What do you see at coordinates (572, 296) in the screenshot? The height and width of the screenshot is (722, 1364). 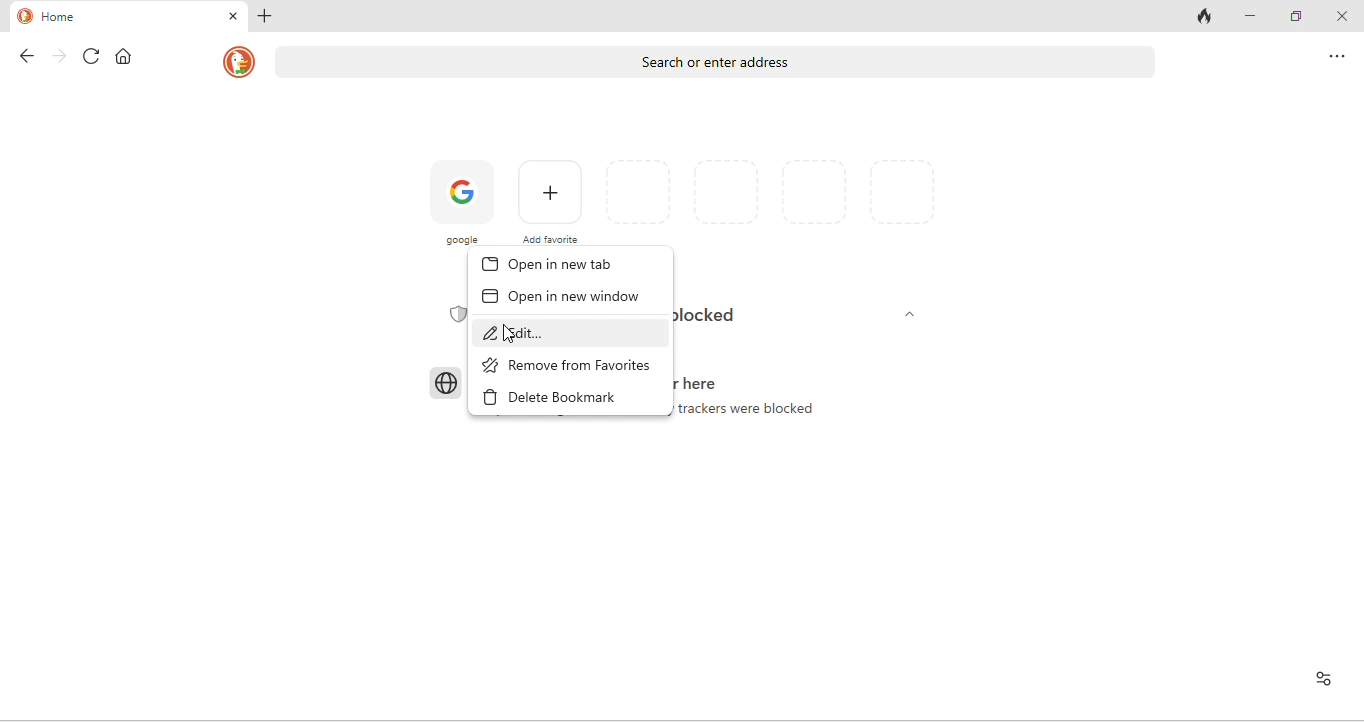 I see `open in new window` at bounding box center [572, 296].